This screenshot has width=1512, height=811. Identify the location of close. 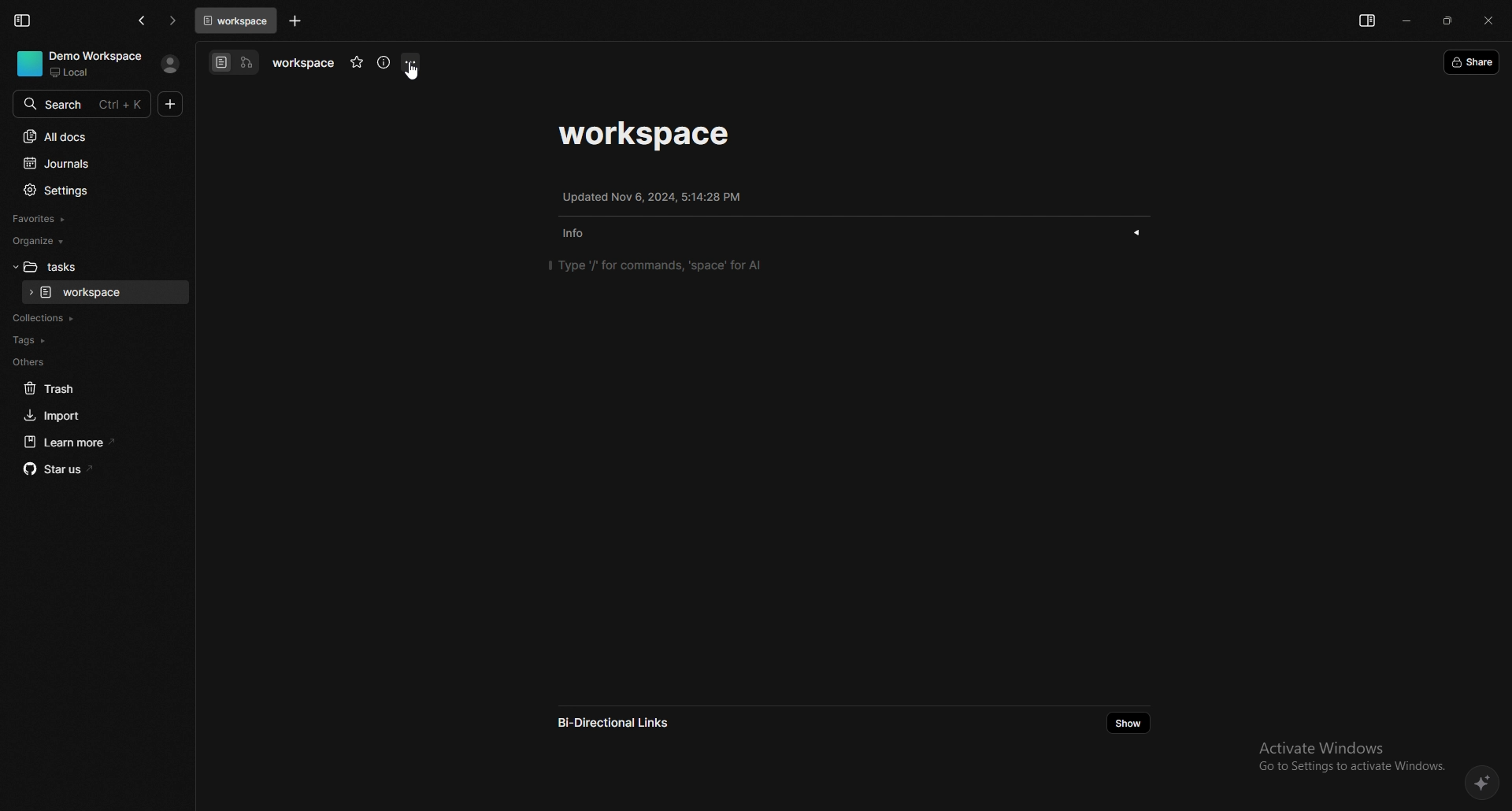
(1489, 21).